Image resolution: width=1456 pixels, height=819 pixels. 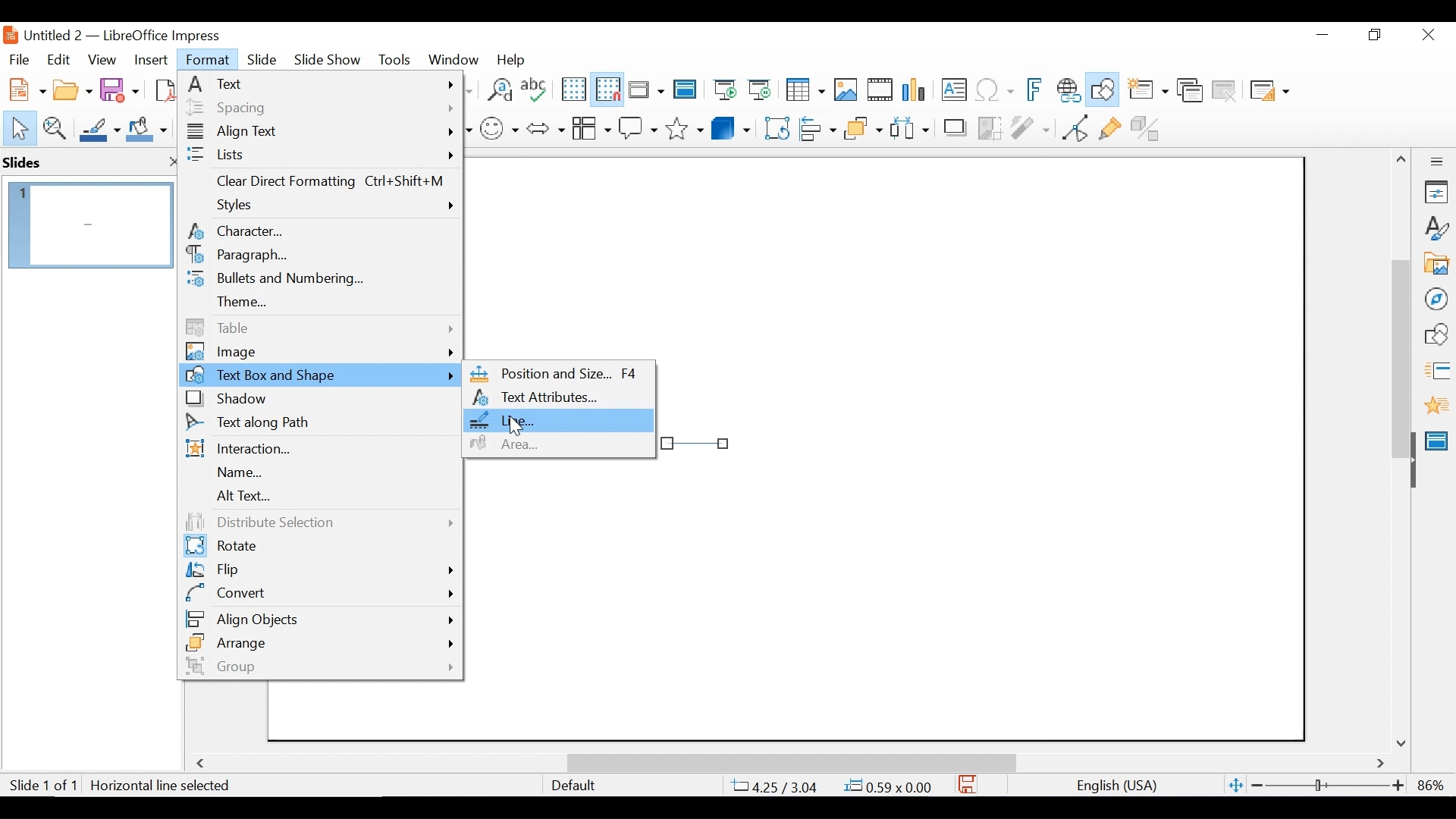 I want to click on Flip, so click(x=318, y=571).